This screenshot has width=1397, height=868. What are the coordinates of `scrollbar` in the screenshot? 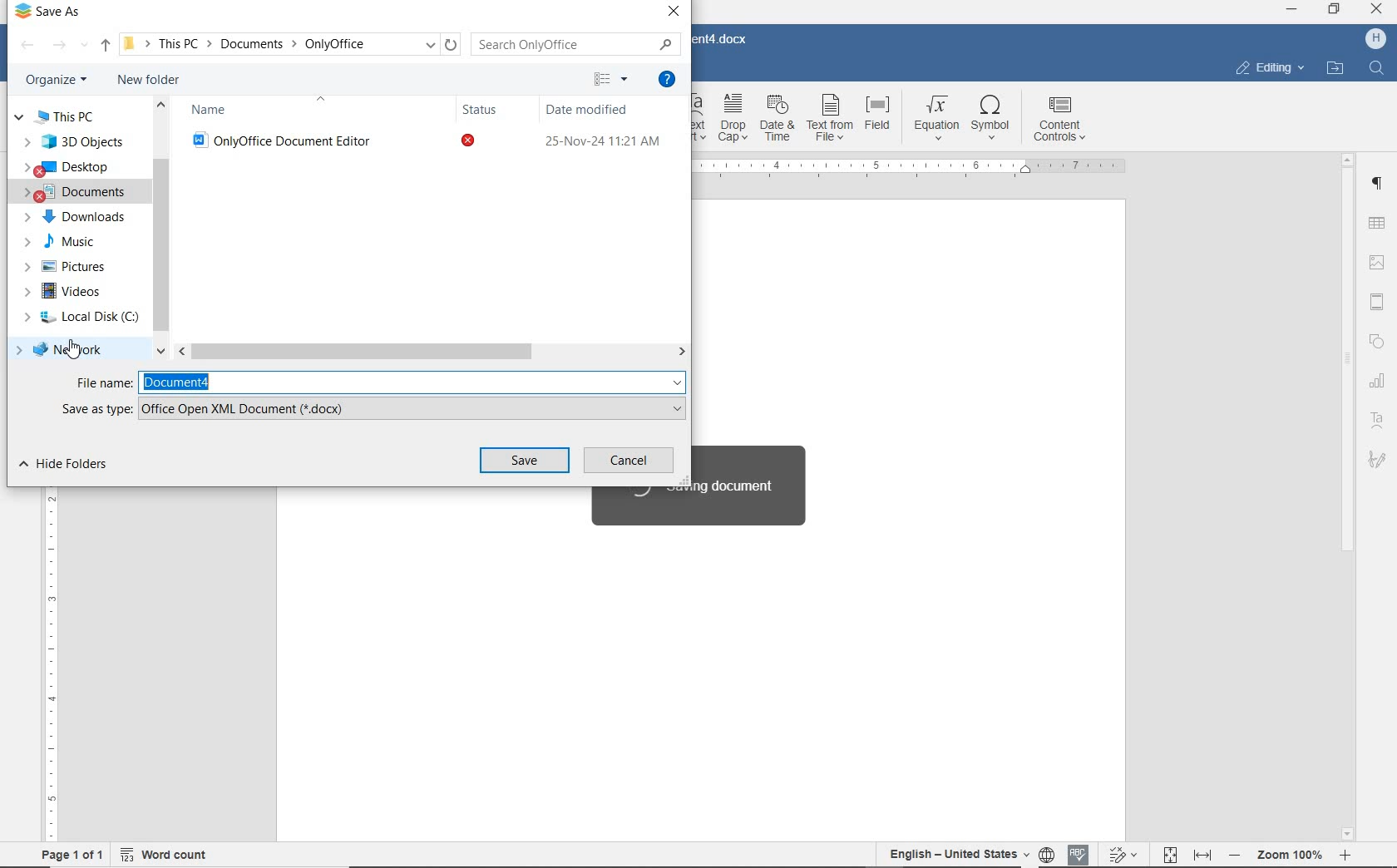 It's located at (163, 229).